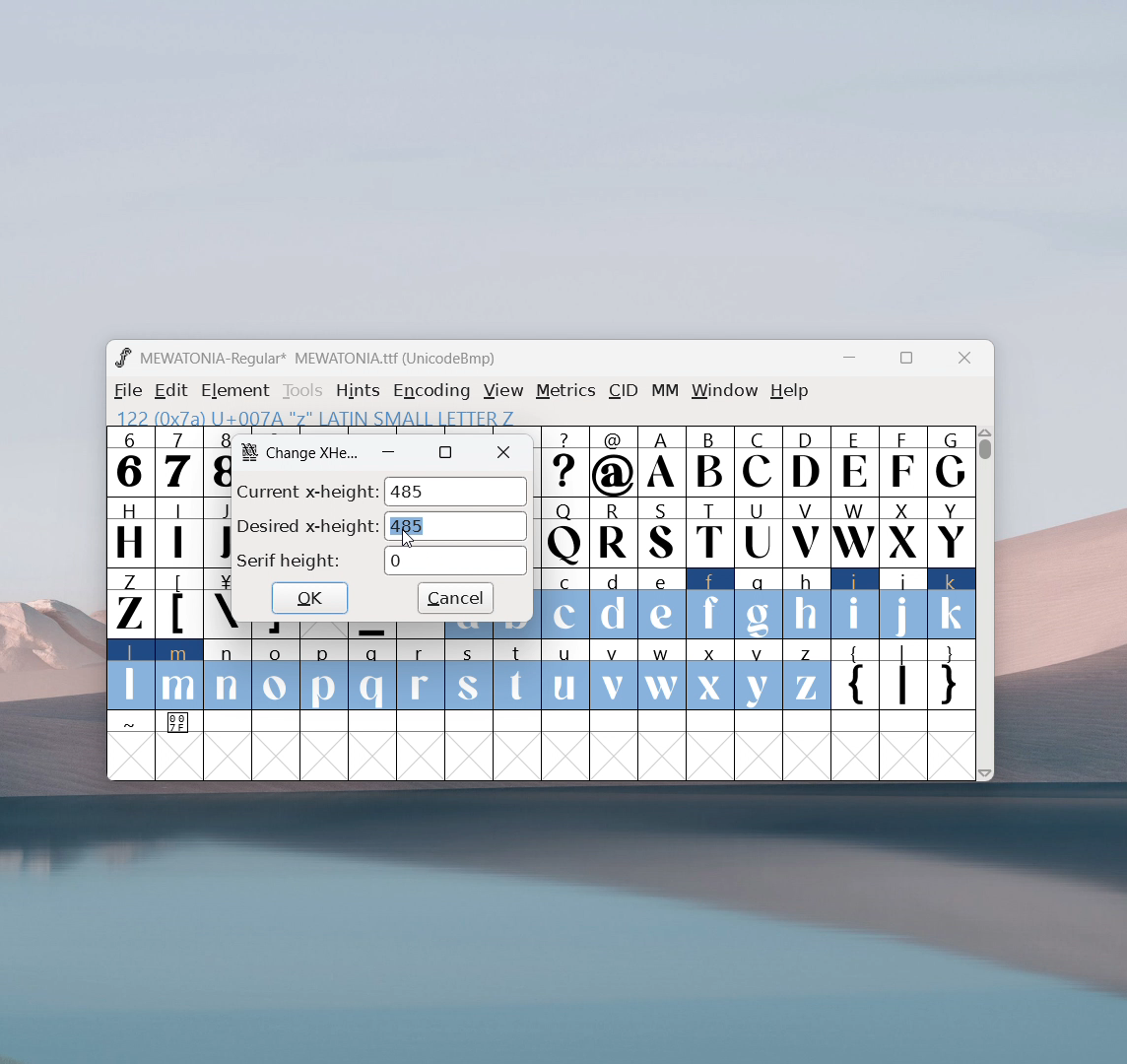  I want to click on Cursor, so click(409, 540).